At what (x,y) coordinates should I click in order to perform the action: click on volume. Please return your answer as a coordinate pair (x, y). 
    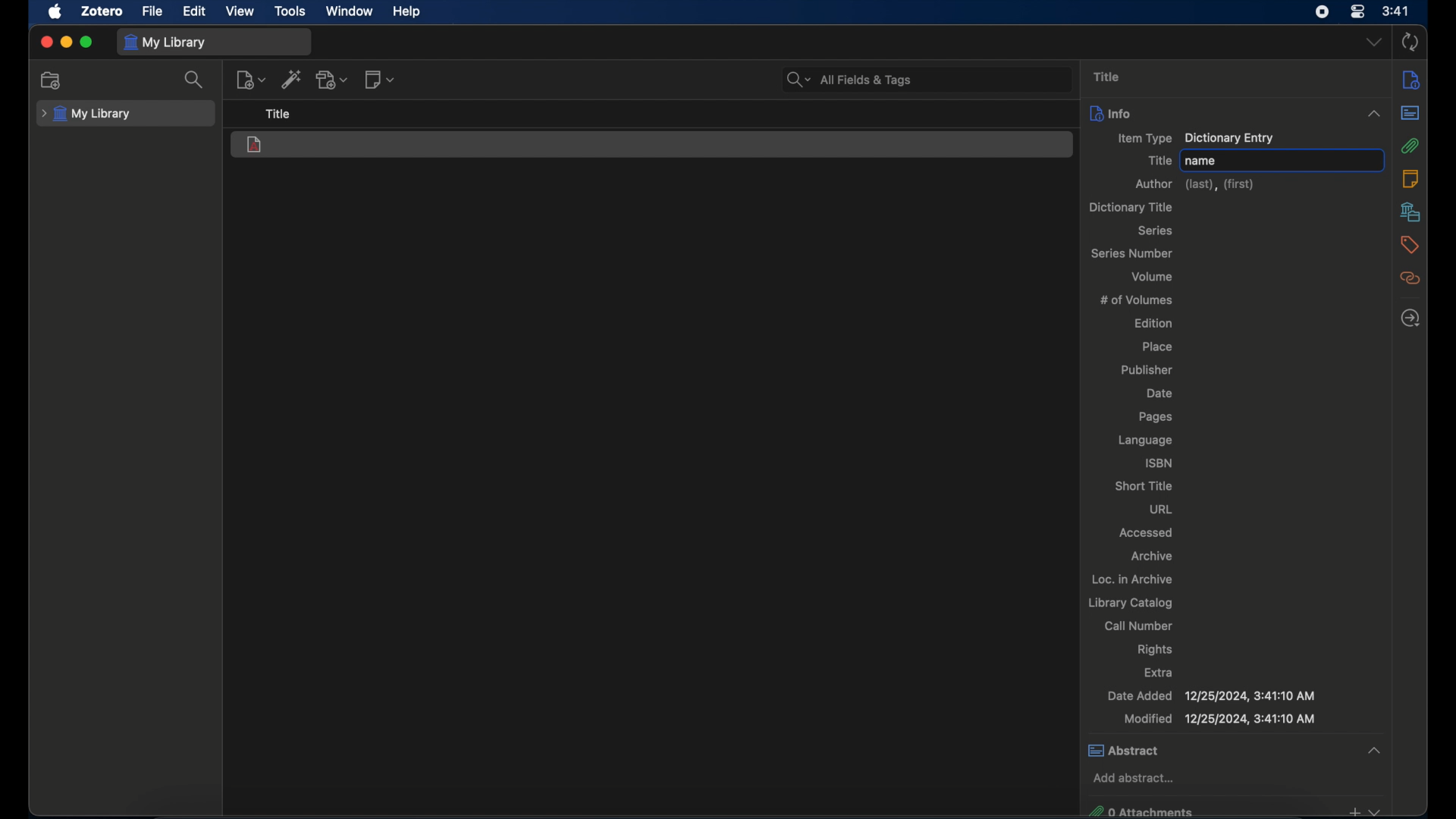
    Looking at the image, I should click on (1153, 276).